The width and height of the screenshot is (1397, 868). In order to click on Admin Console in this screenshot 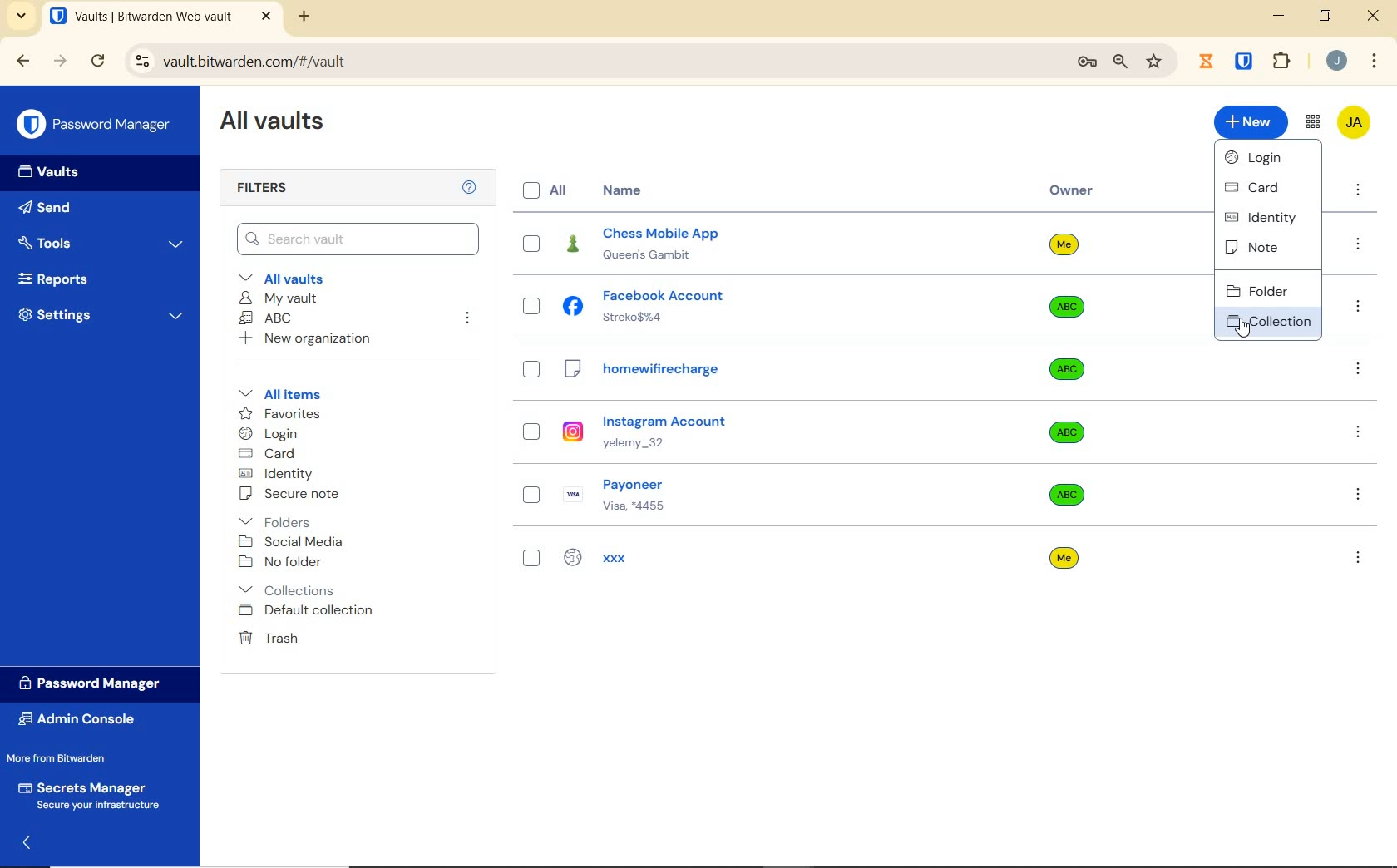, I will do `click(82, 721)`.